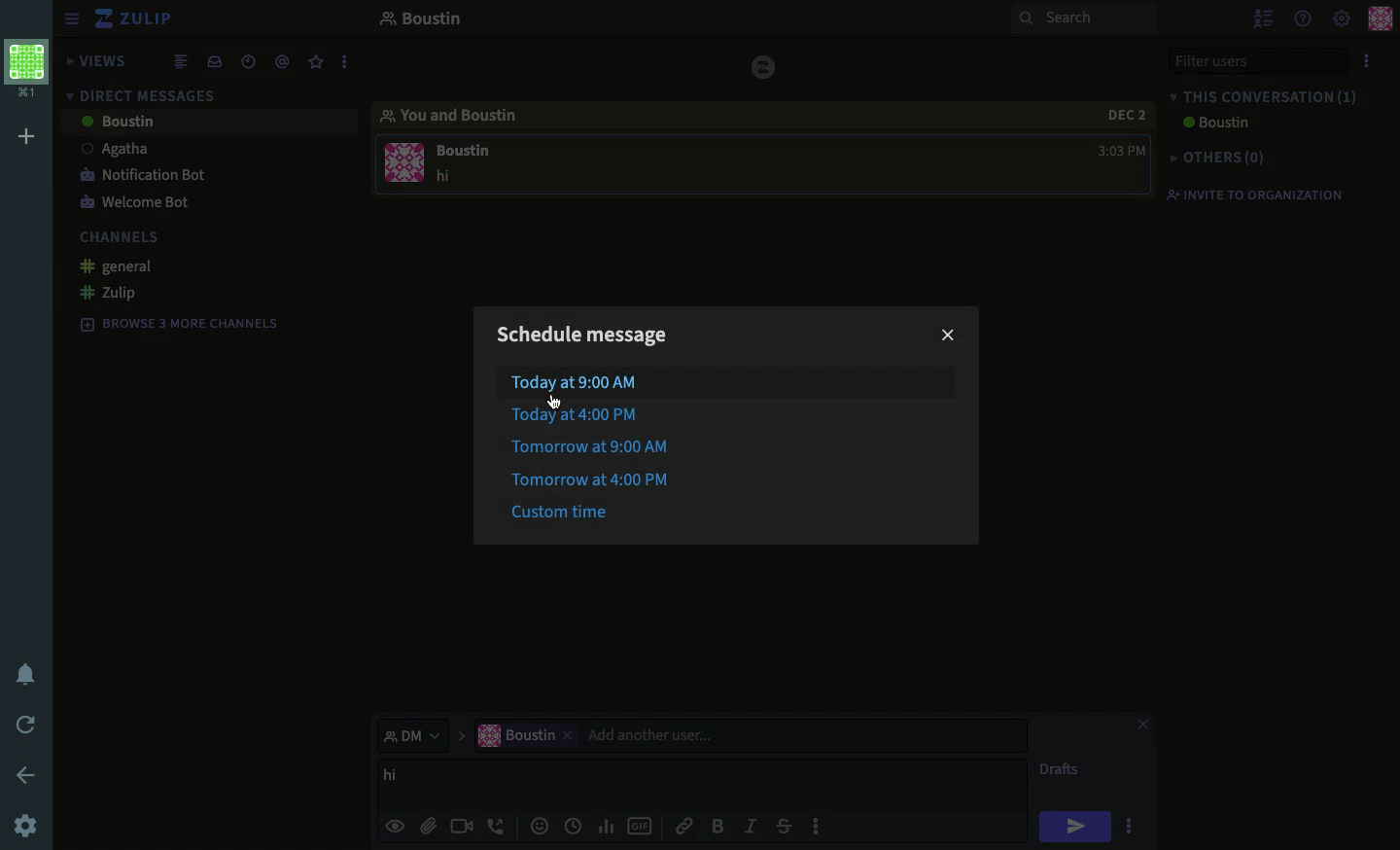 The image size is (1400, 850). Describe the element at coordinates (821, 829) in the screenshot. I see `options` at that location.